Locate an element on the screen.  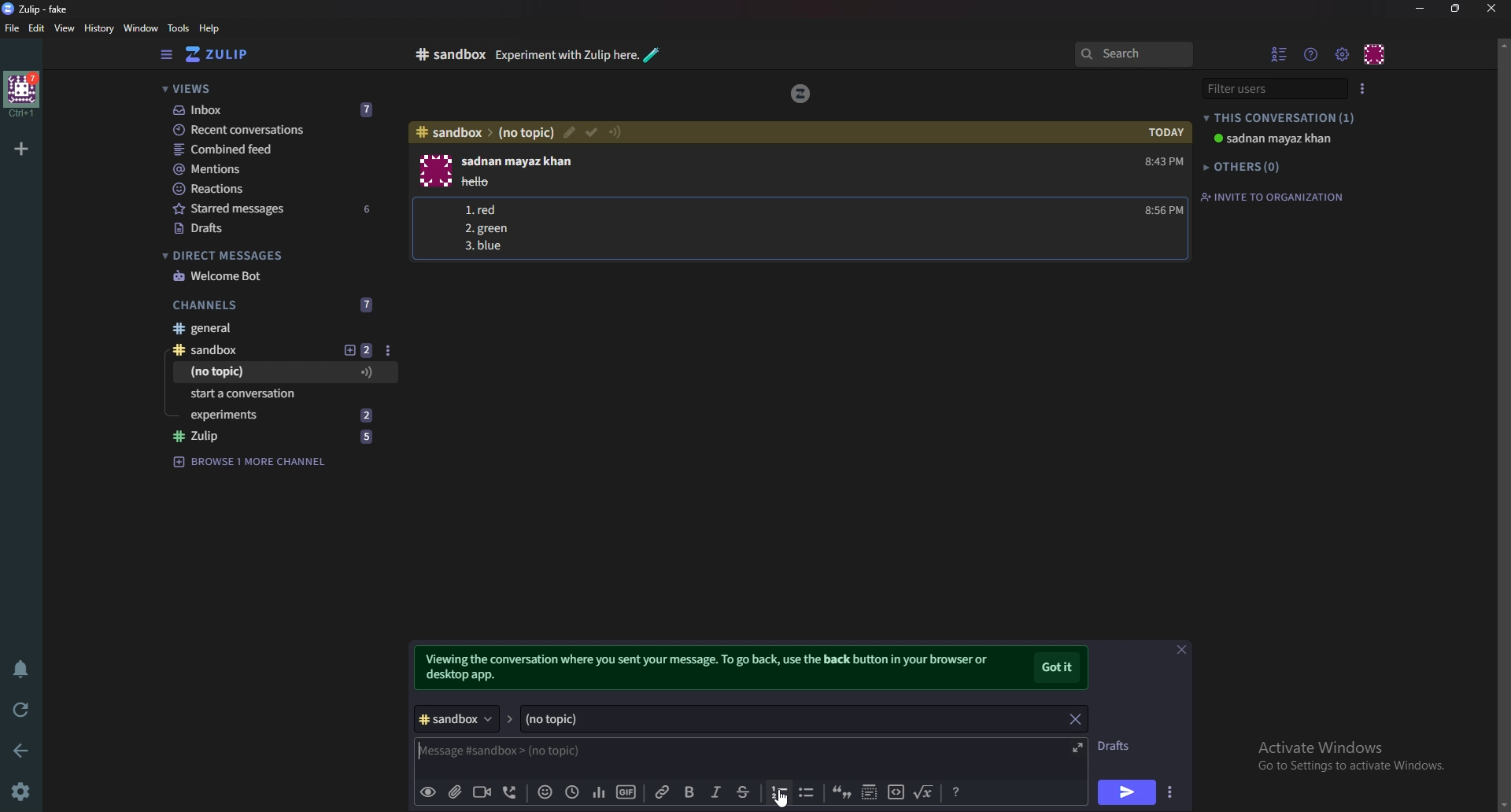
Math is located at coordinates (925, 792).